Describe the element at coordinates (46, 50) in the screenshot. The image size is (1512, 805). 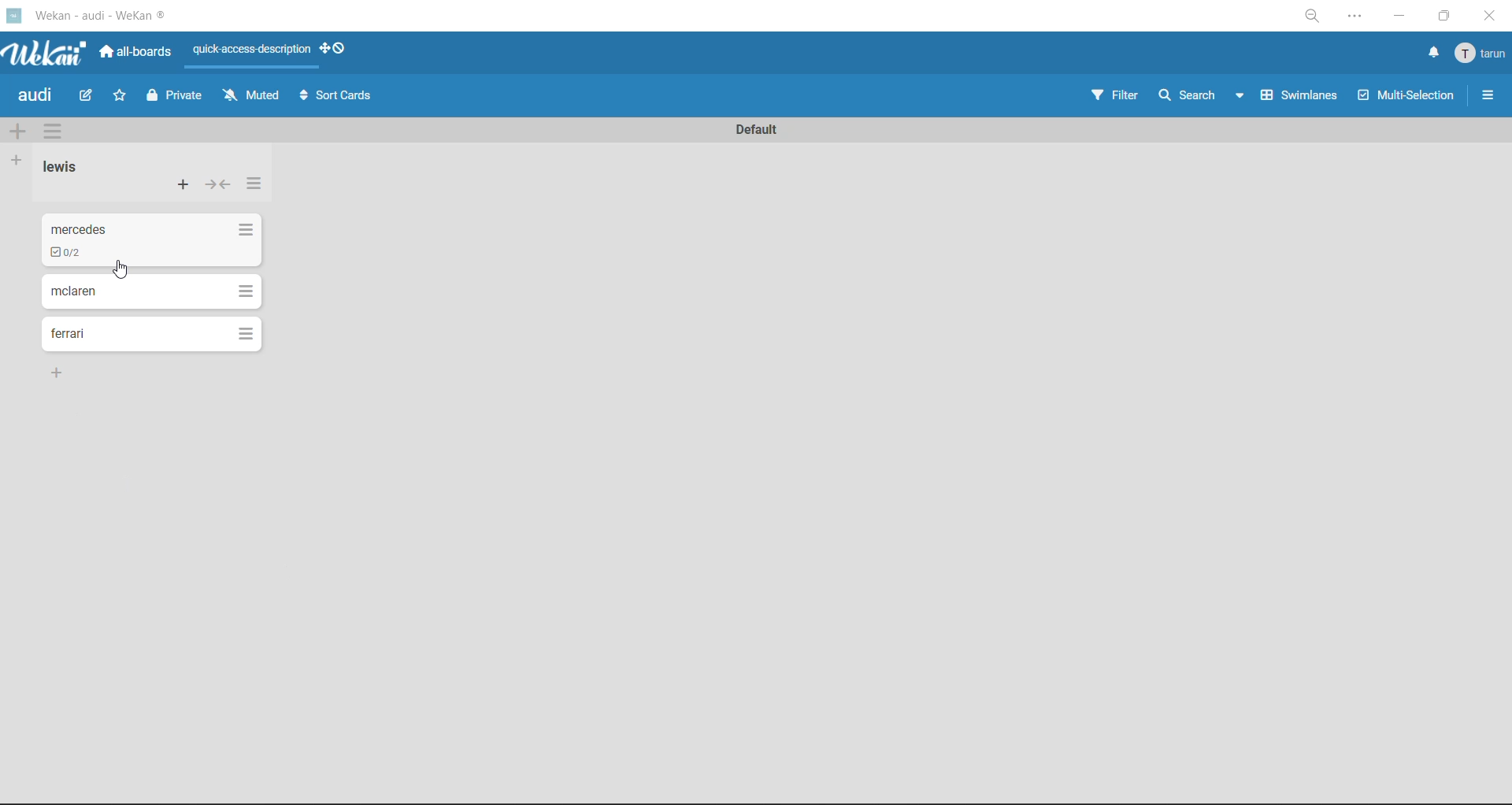
I see `WeKan` at that location.